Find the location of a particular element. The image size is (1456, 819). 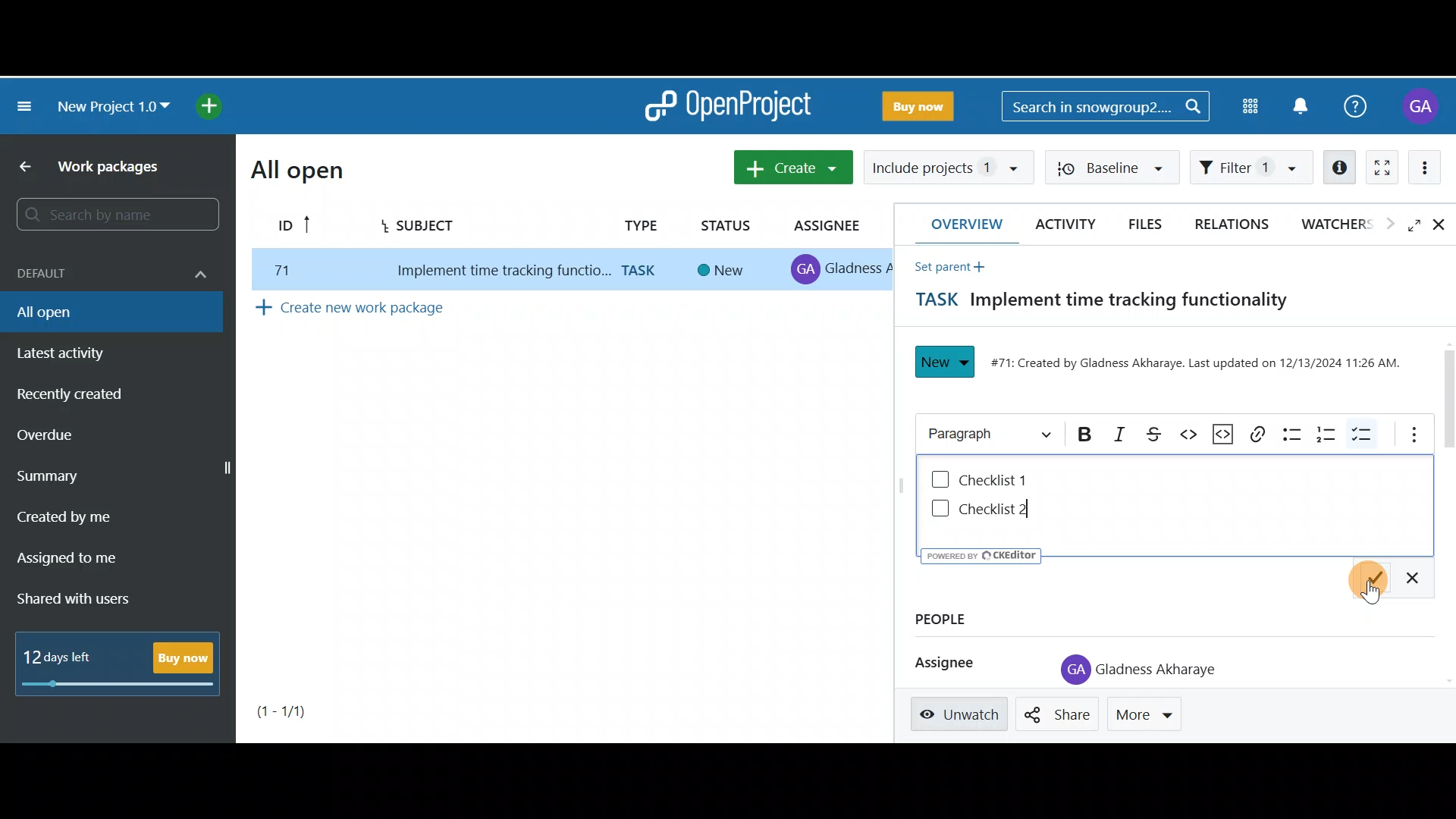

Subject is located at coordinates (442, 230).